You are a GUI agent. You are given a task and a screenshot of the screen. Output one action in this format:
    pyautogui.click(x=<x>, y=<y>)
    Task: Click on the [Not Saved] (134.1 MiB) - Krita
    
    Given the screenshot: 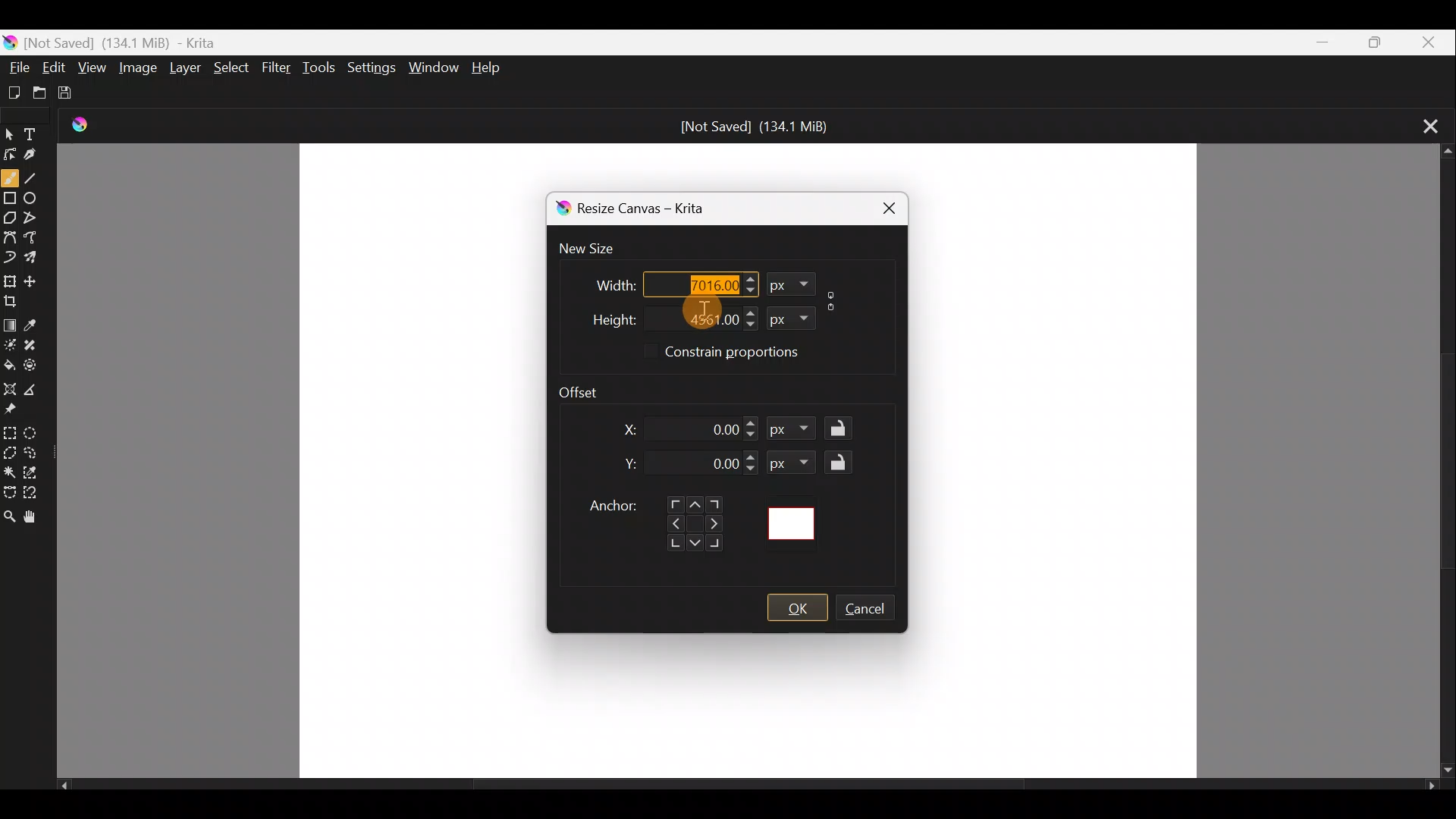 What is the action you would take?
    pyautogui.click(x=160, y=39)
    